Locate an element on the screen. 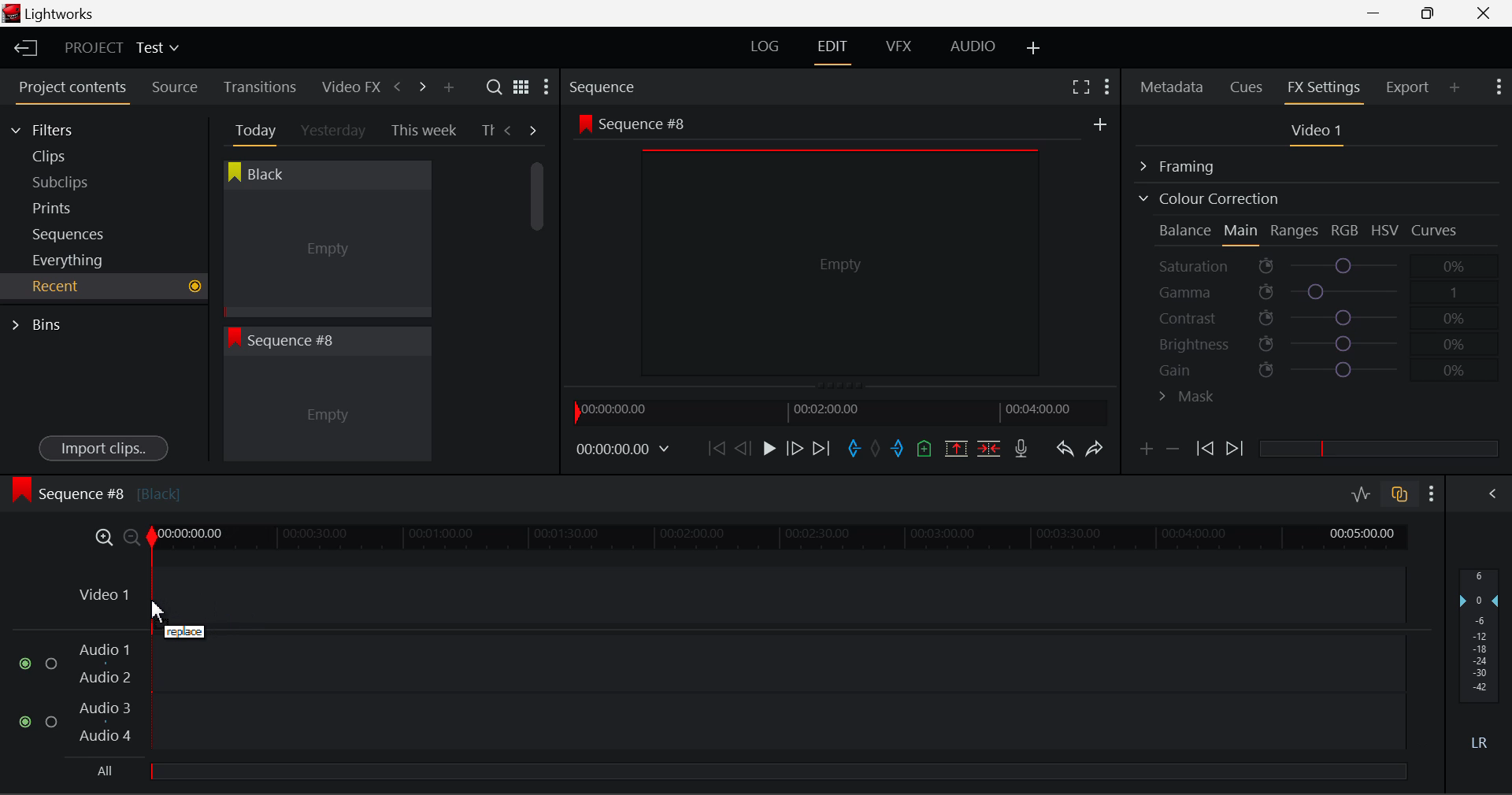  Redo is located at coordinates (1095, 448).